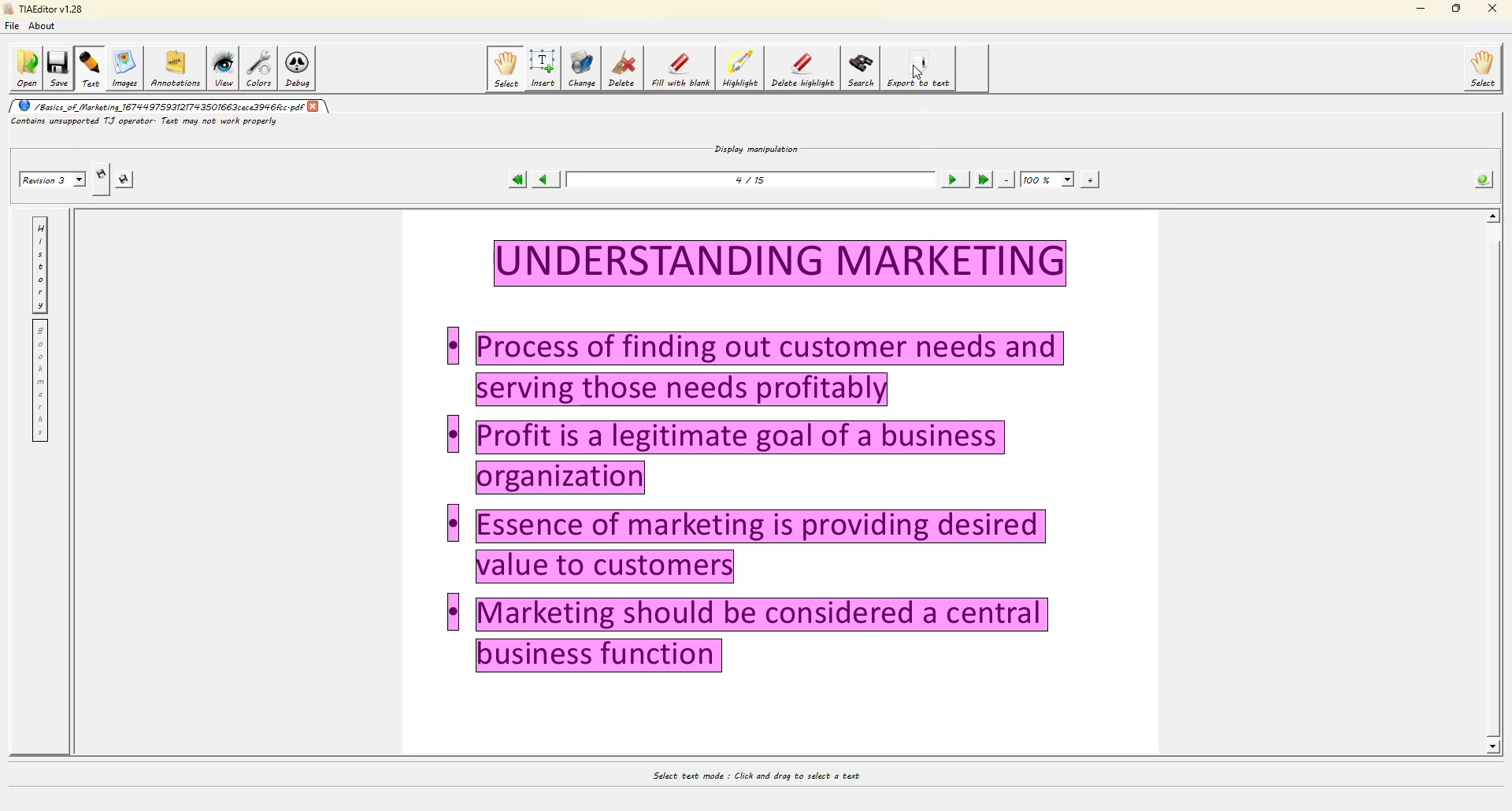 Image resolution: width=1512 pixels, height=811 pixels. I want to click on zoom out, so click(1006, 180).